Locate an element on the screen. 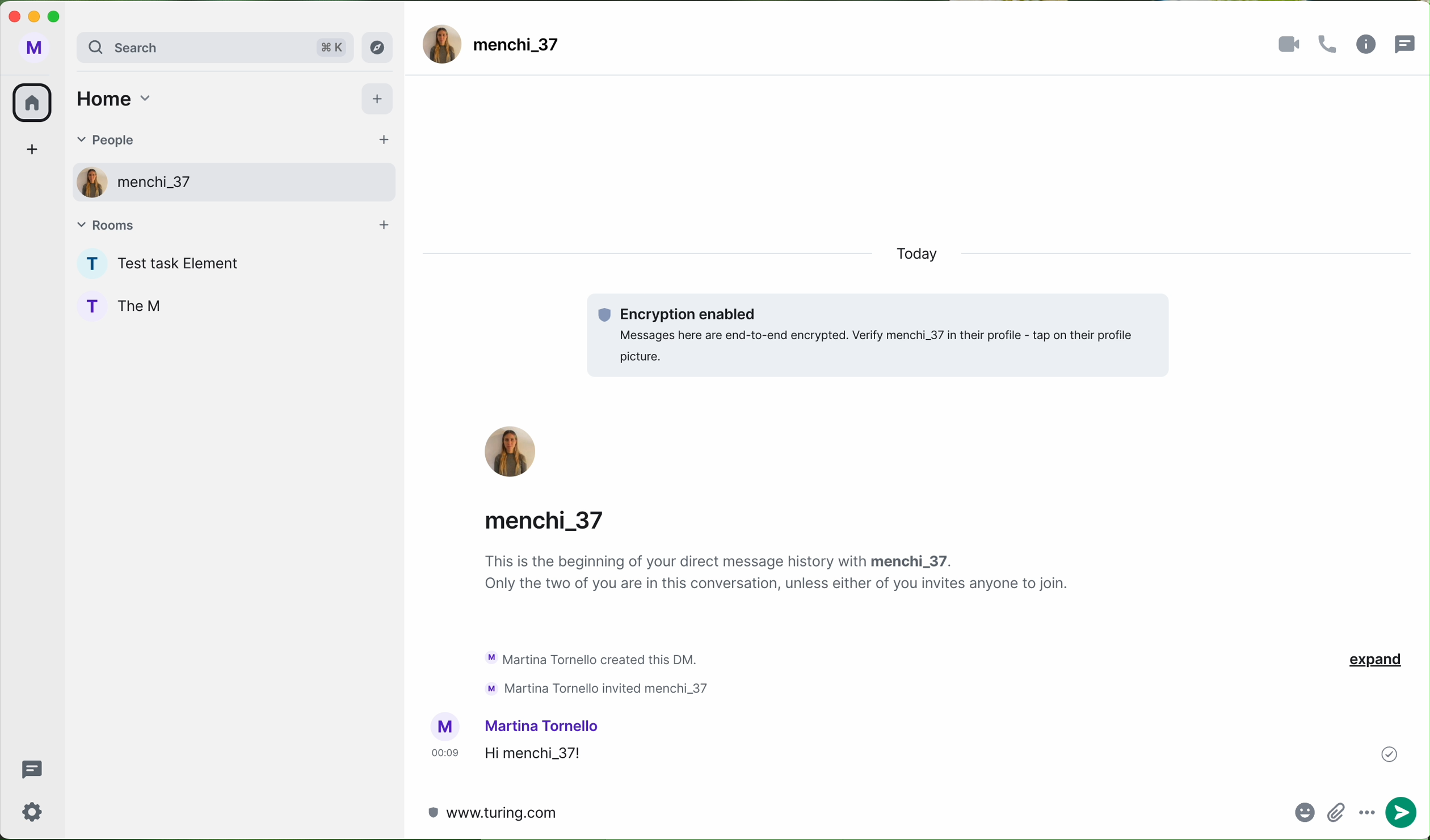 The height and width of the screenshot is (840, 1430). call is located at coordinates (1331, 45).